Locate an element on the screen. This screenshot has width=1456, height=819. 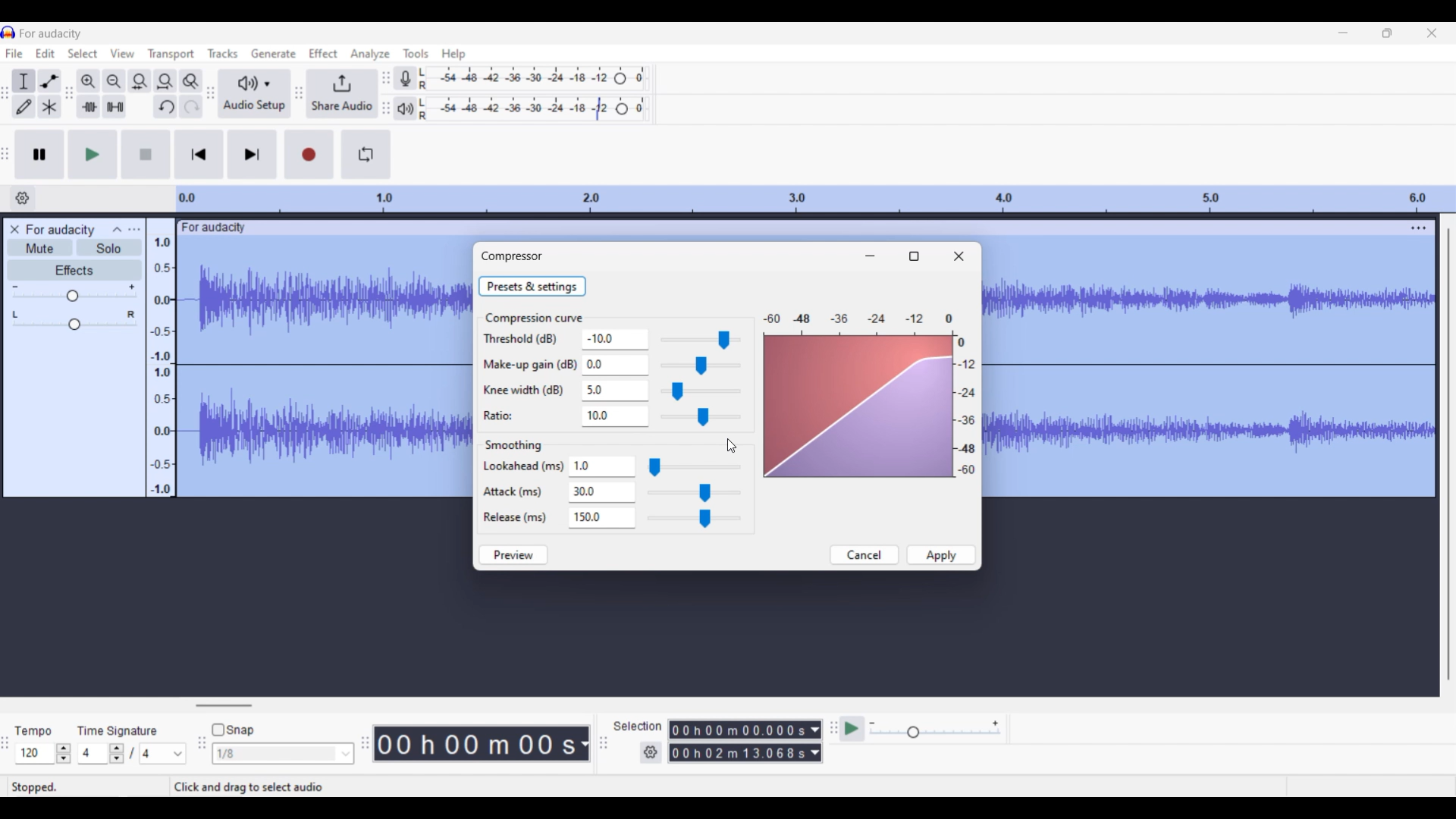
Effect is located at coordinates (323, 53).